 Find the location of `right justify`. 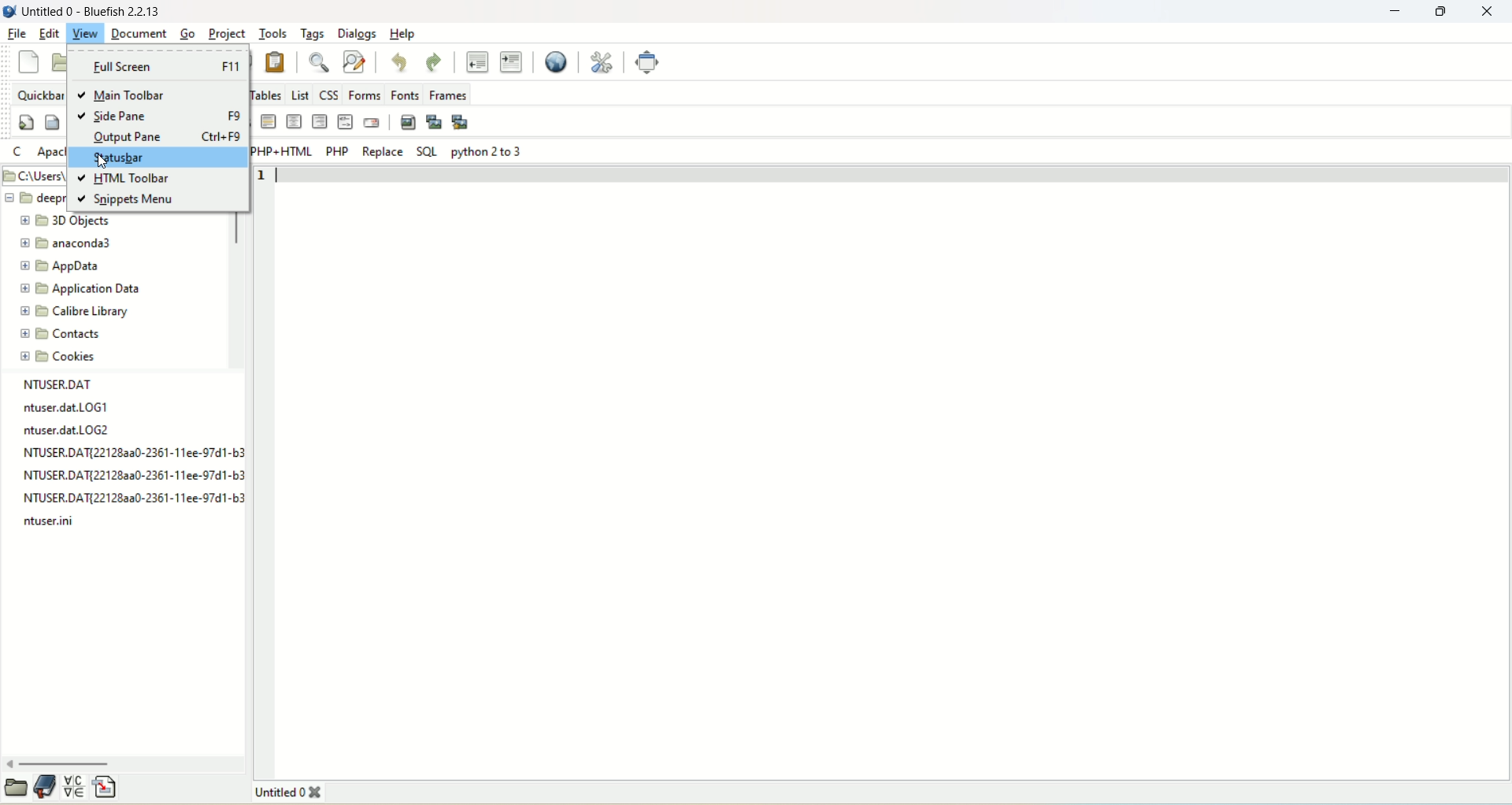

right justify is located at coordinates (320, 121).